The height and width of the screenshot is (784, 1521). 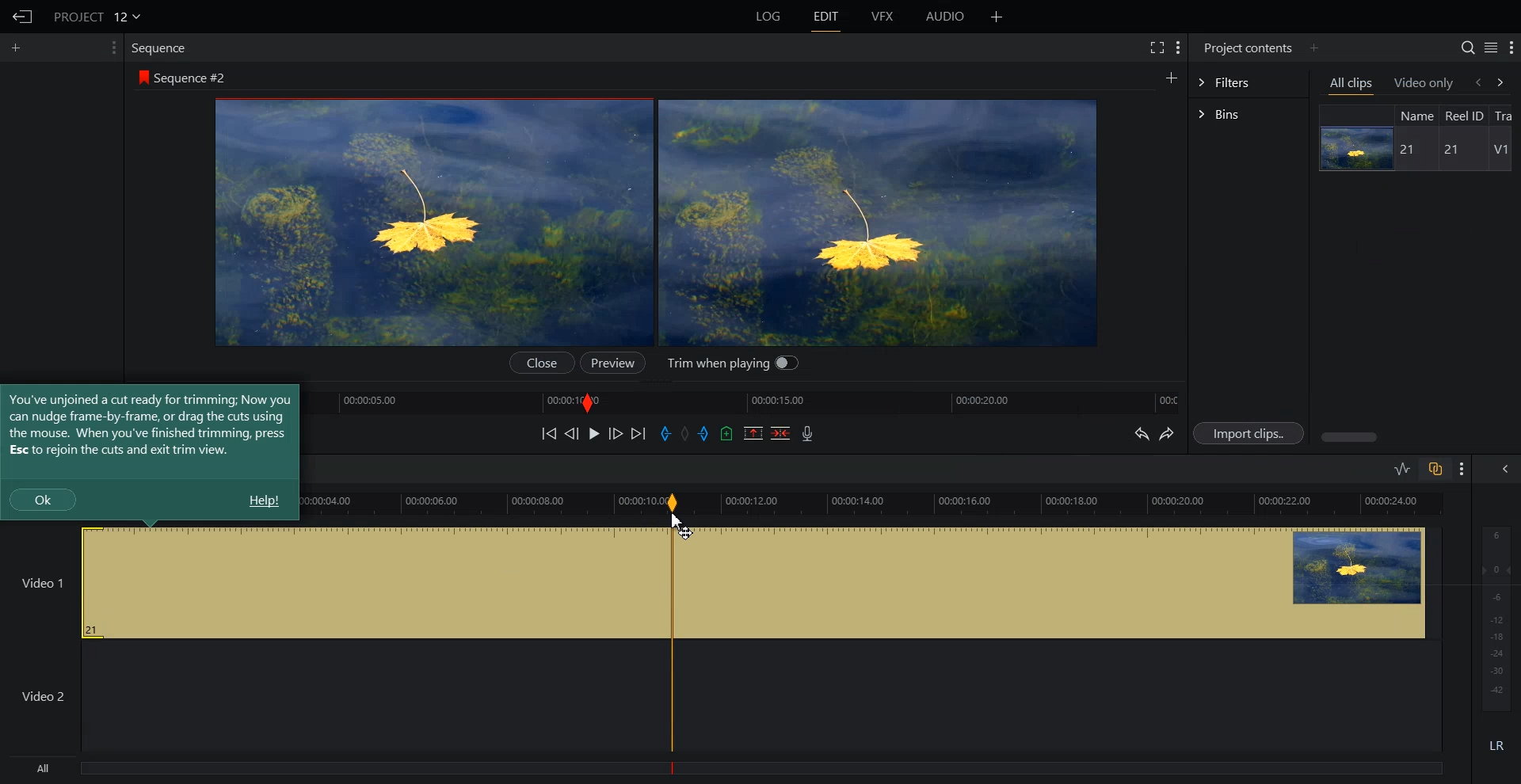 What do you see at coordinates (1248, 48) in the screenshot?
I see `Project contents` at bounding box center [1248, 48].